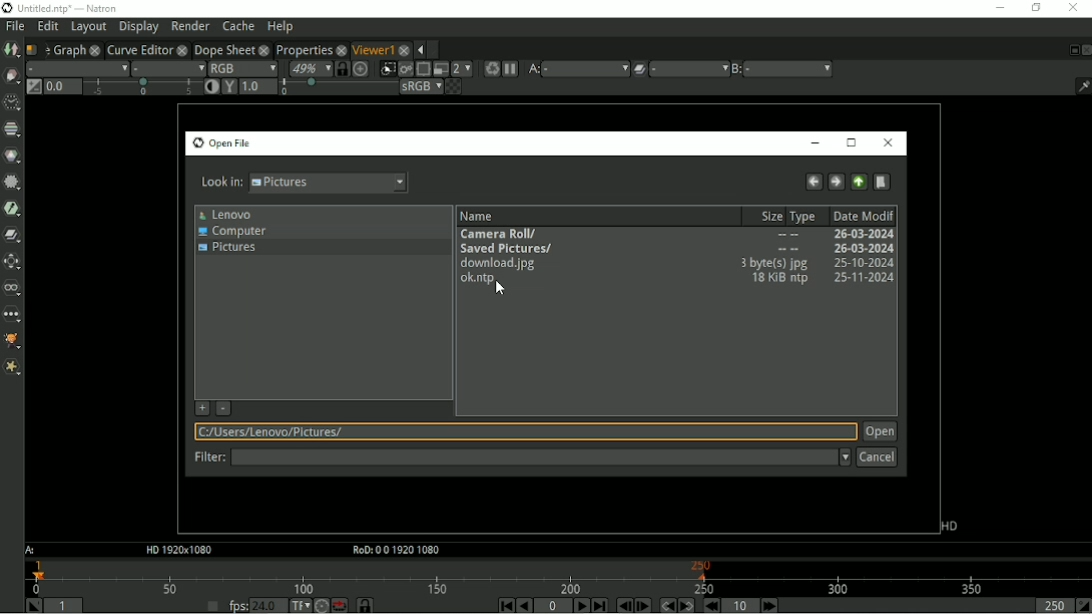 The height and width of the screenshot is (614, 1092). Describe the element at coordinates (404, 48) in the screenshot. I see `close` at that location.